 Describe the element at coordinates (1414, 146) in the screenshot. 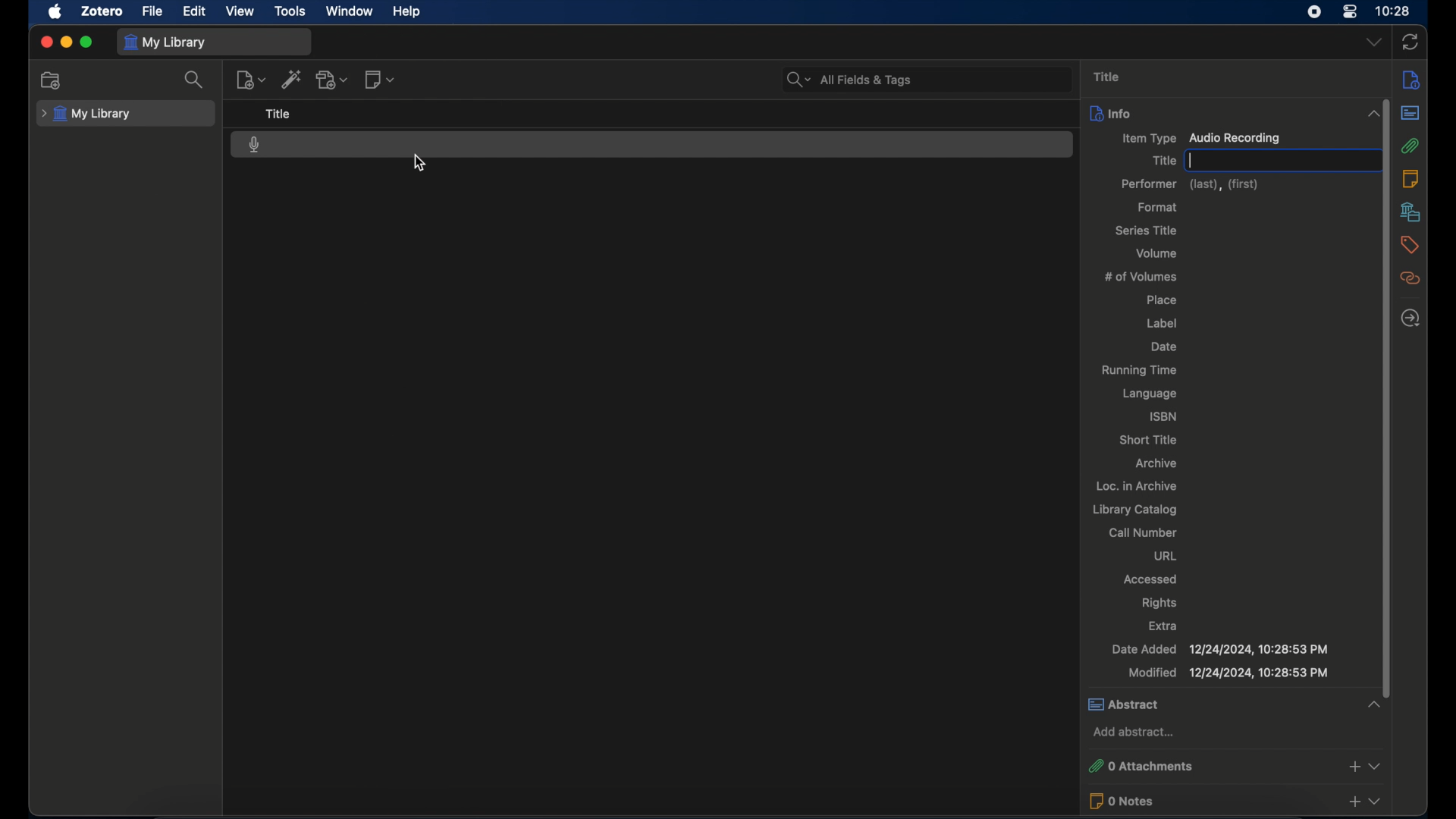

I see `attachments` at that location.